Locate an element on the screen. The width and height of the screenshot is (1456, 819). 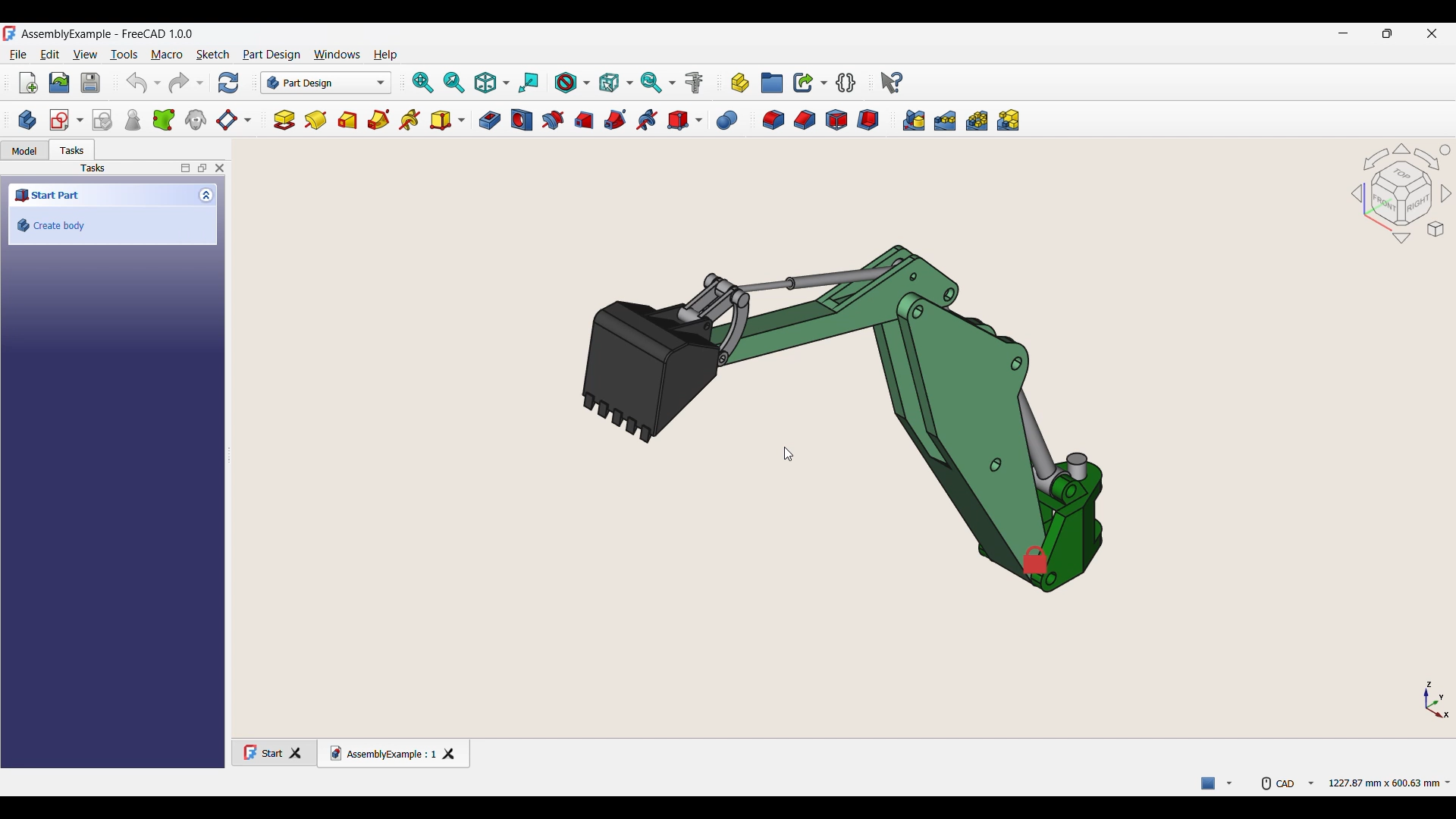
Close Start tab is located at coordinates (301, 752).